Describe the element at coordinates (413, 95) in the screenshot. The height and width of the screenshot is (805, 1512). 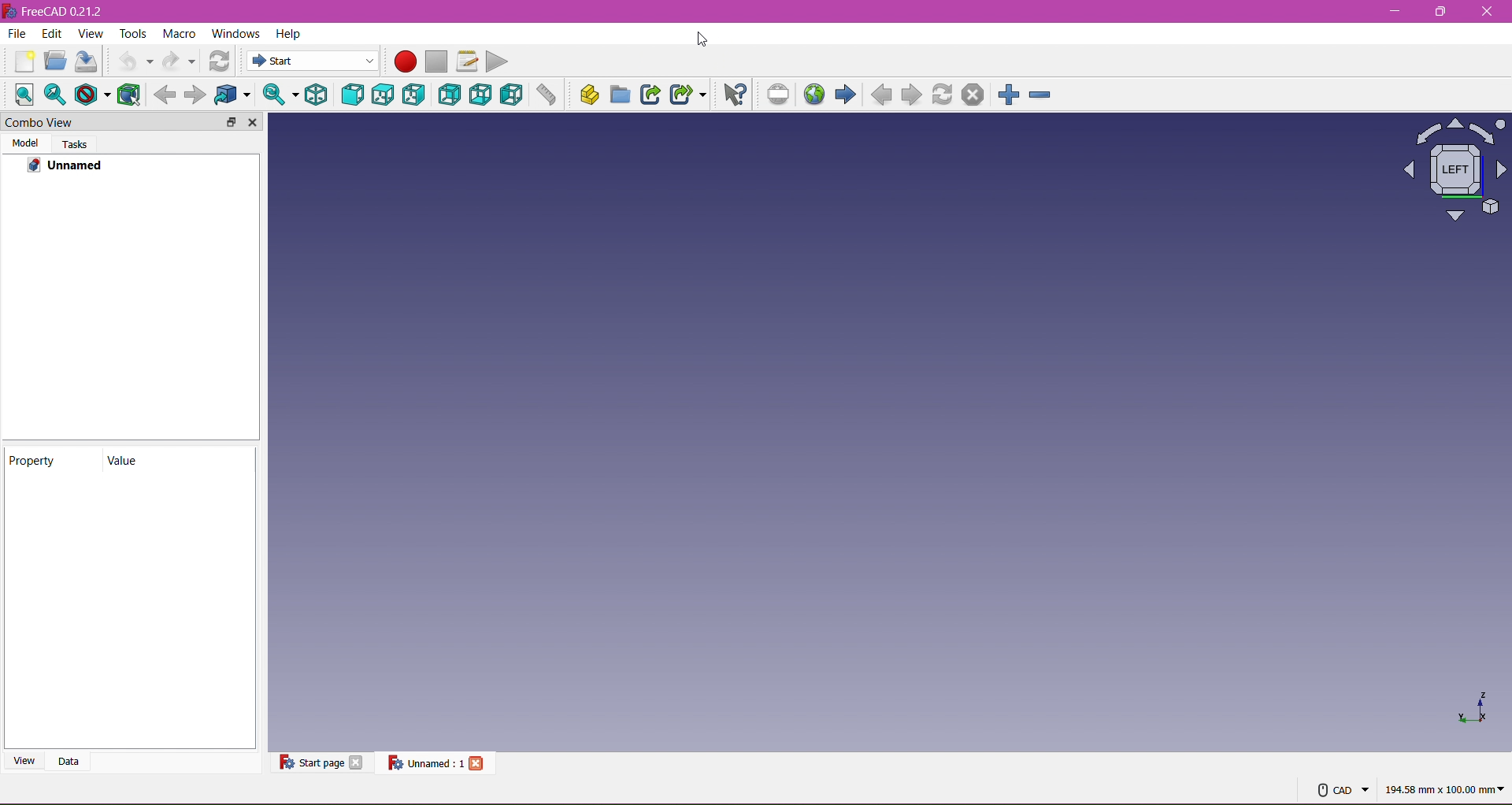
I see `Right` at that location.